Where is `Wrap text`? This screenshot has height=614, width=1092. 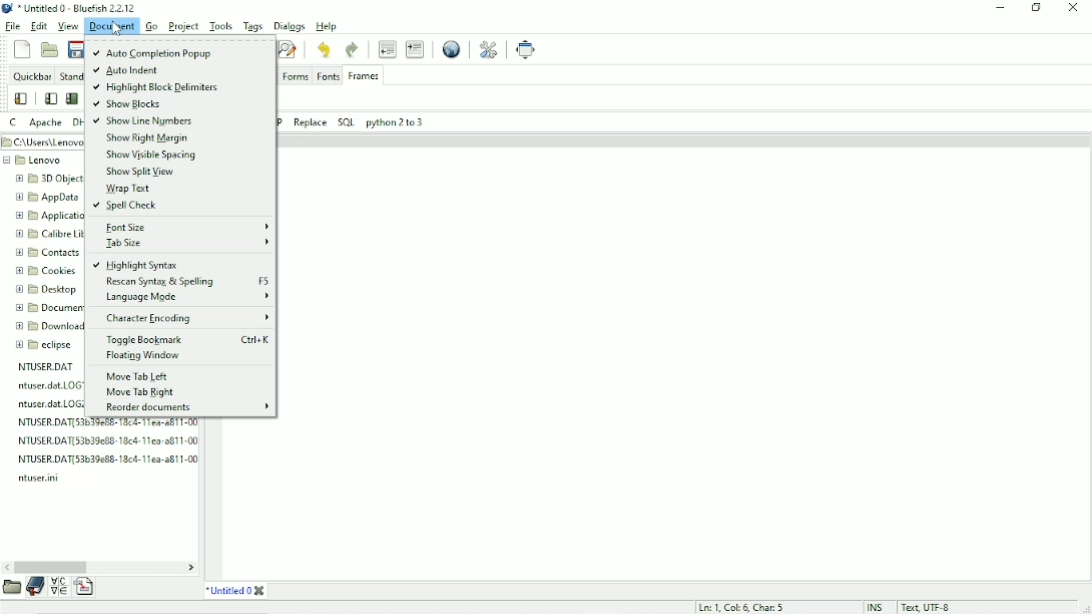 Wrap text is located at coordinates (125, 189).